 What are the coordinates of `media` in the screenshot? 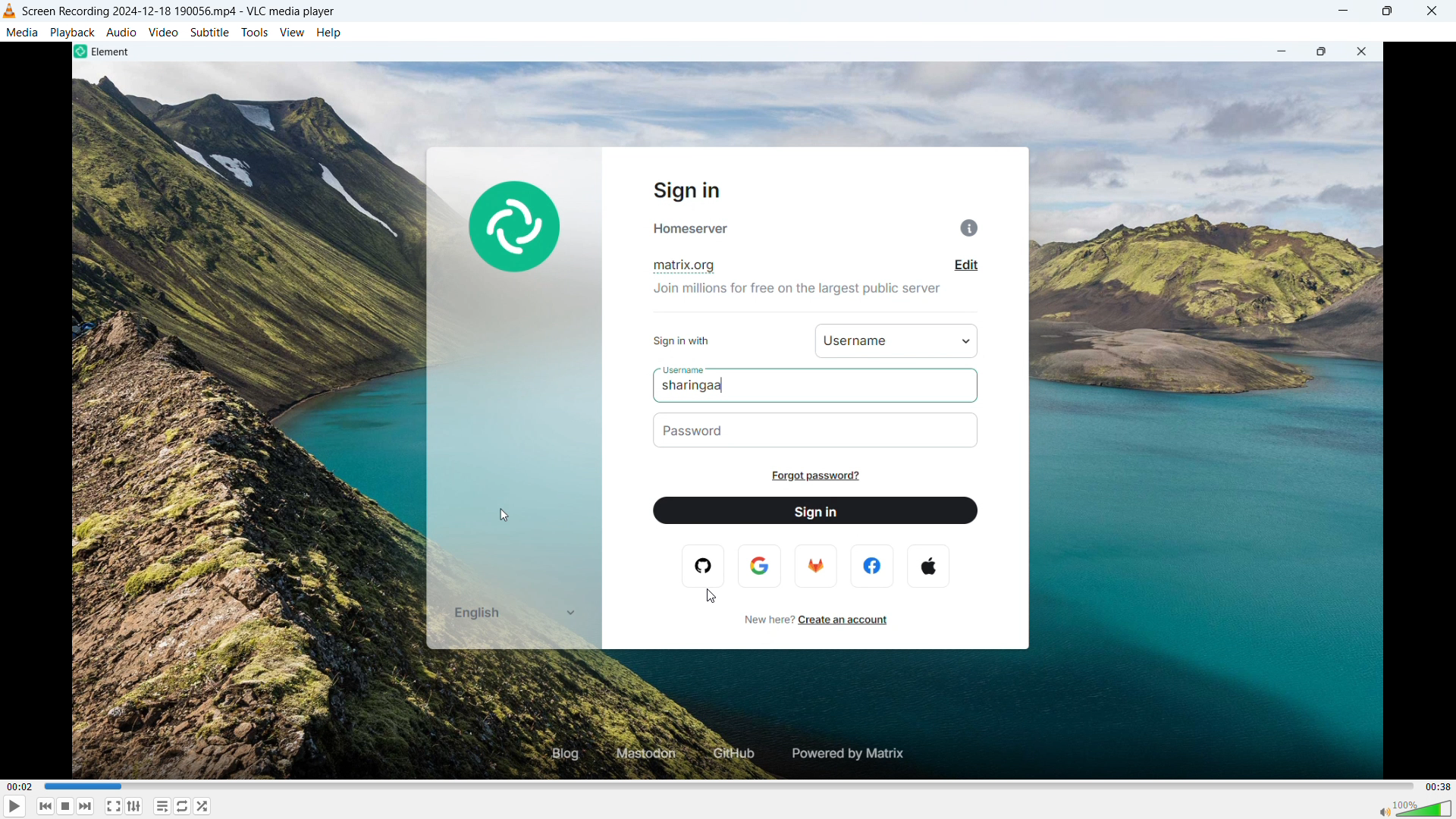 It's located at (23, 32).